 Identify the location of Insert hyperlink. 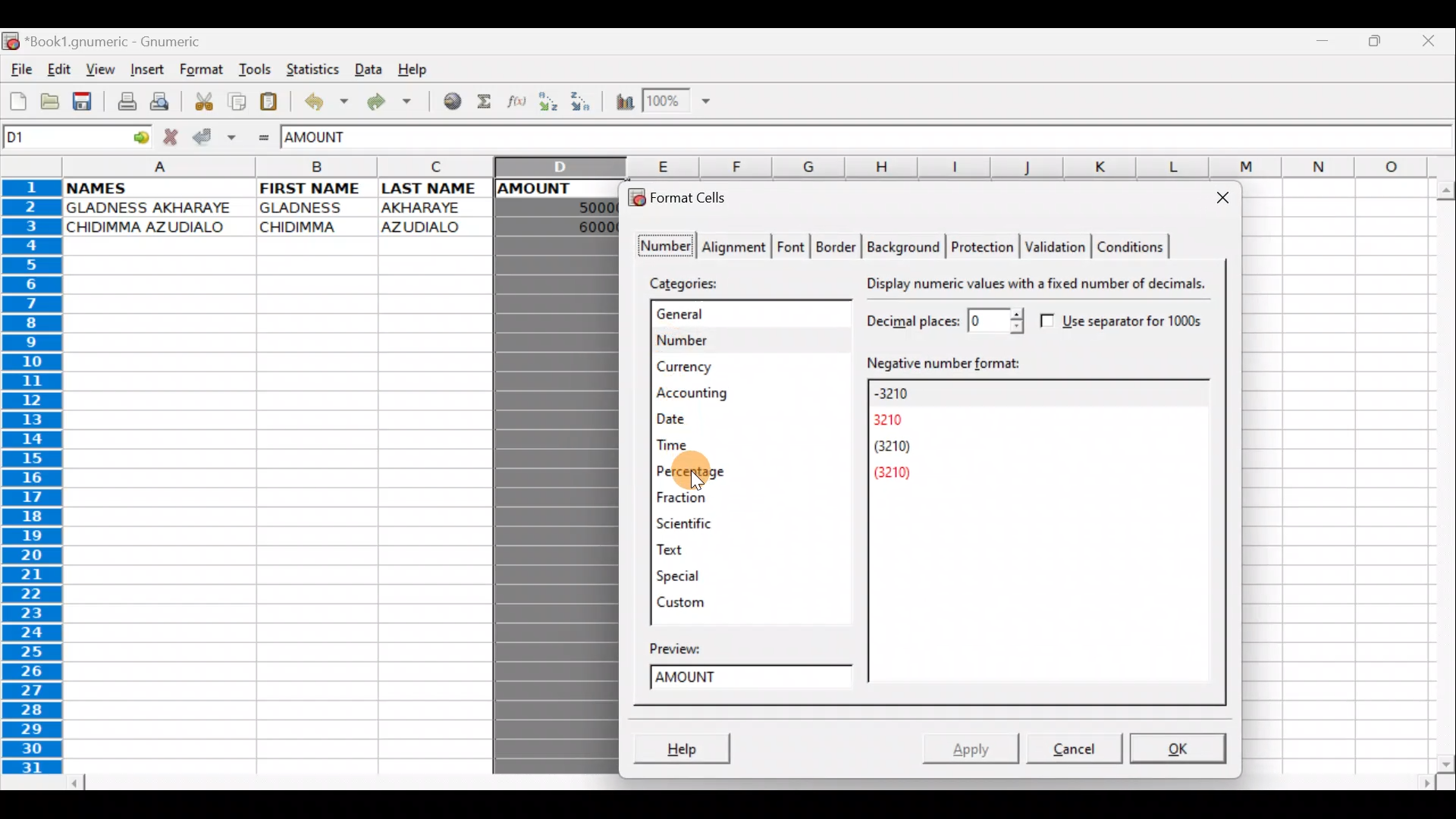
(447, 102).